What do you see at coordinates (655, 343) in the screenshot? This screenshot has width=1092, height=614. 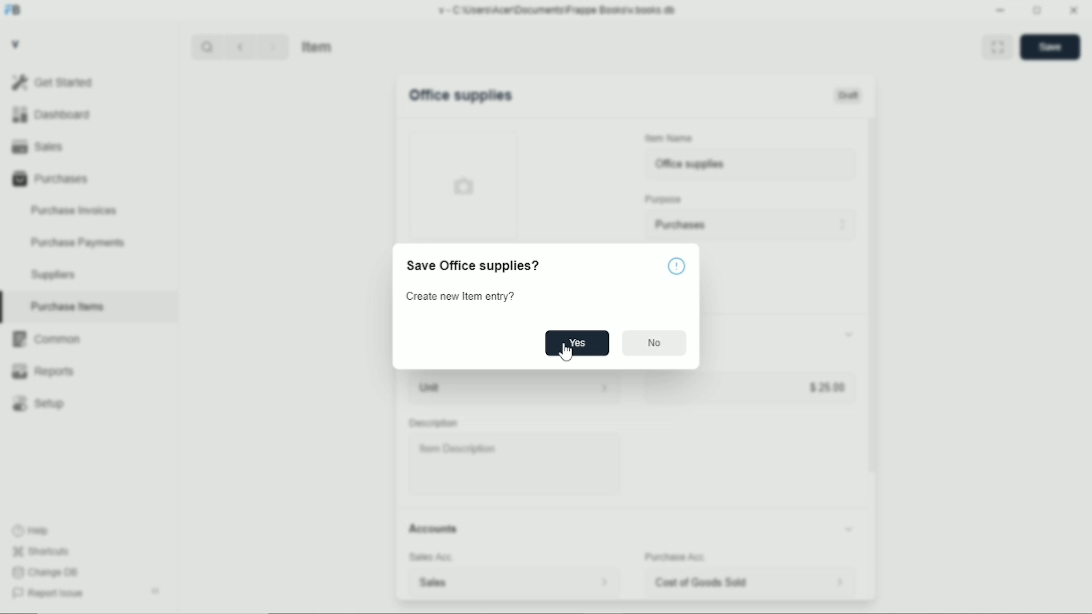 I see `no` at bounding box center [655, 343].